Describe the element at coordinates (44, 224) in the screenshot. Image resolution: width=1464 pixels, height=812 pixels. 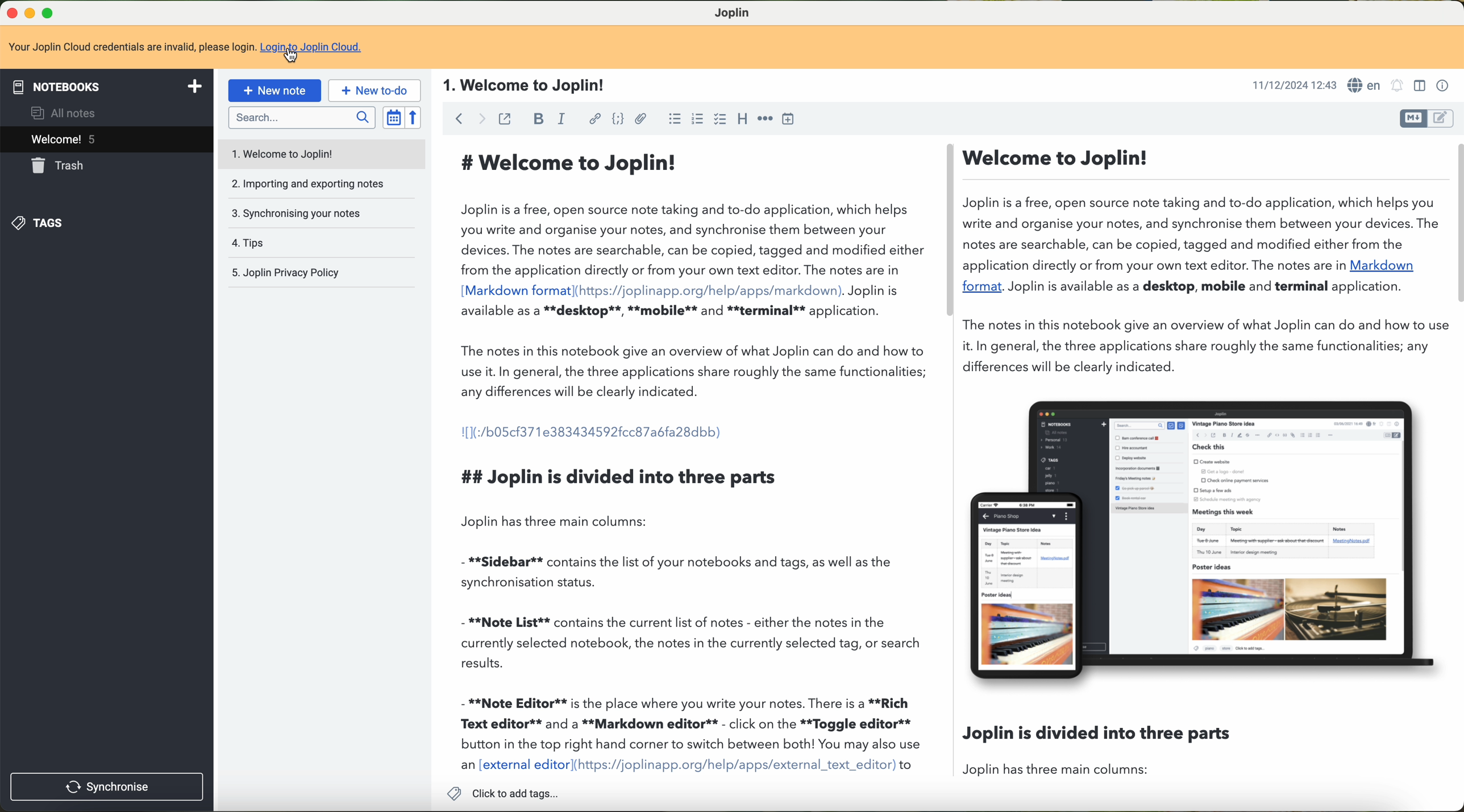
I see `tags` at that location.